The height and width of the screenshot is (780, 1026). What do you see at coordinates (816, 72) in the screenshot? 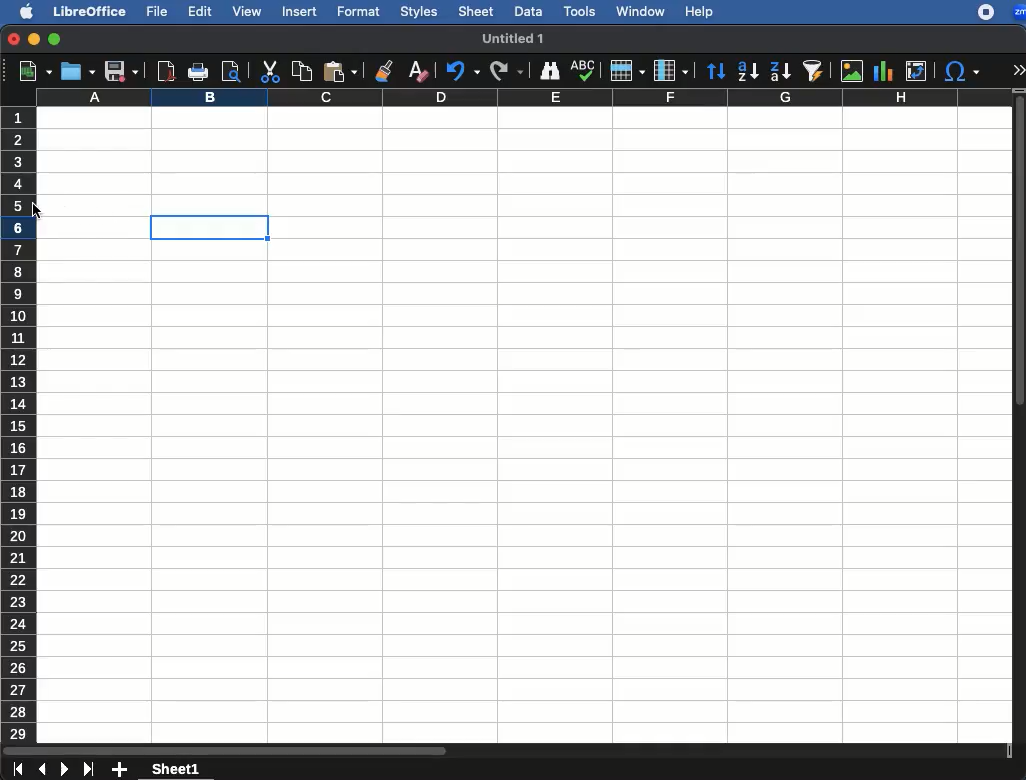
I see `autofilter` at bounding box center [816, 72].